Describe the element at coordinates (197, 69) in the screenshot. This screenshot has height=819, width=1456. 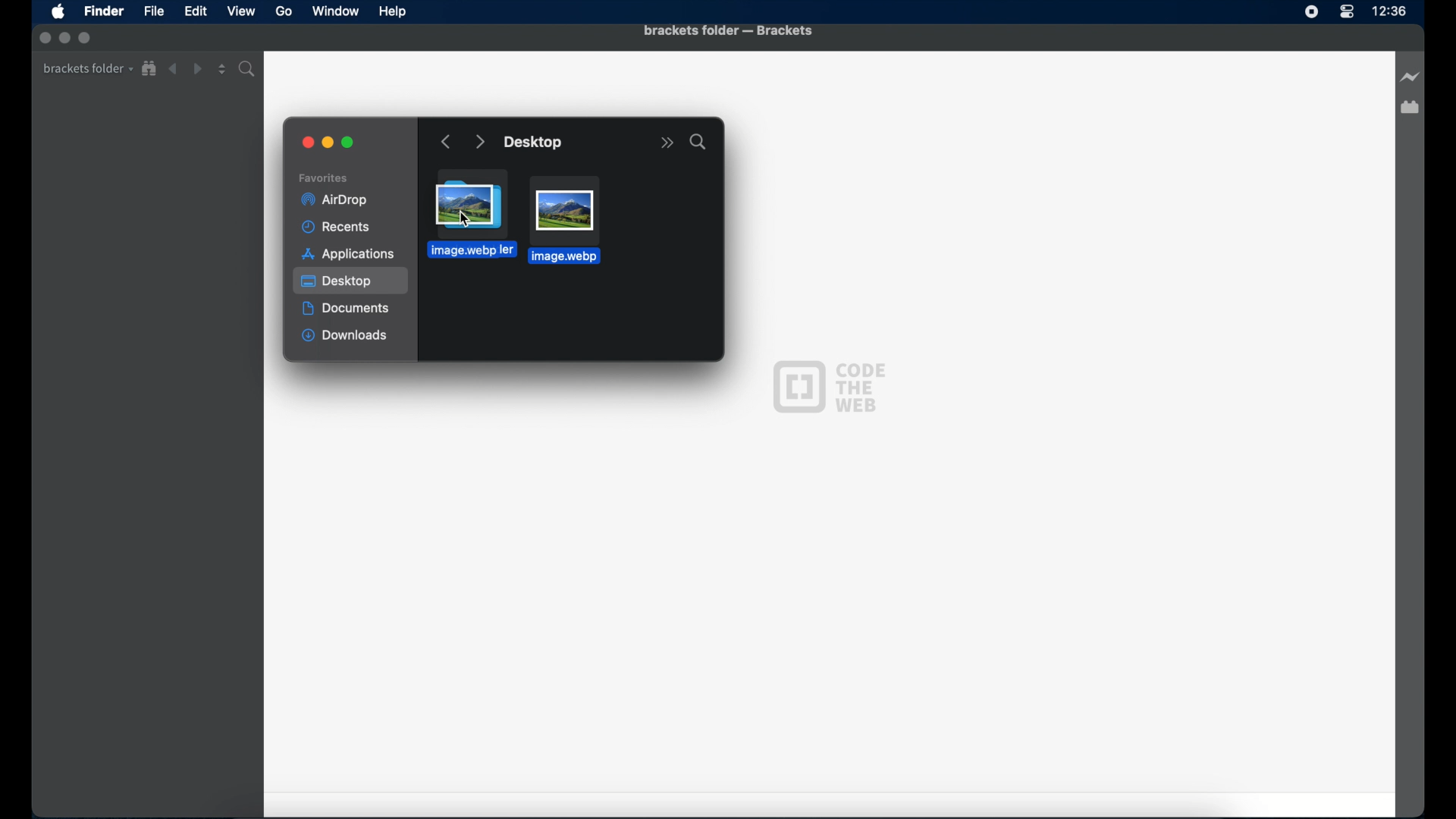
I see `forward` at that location.